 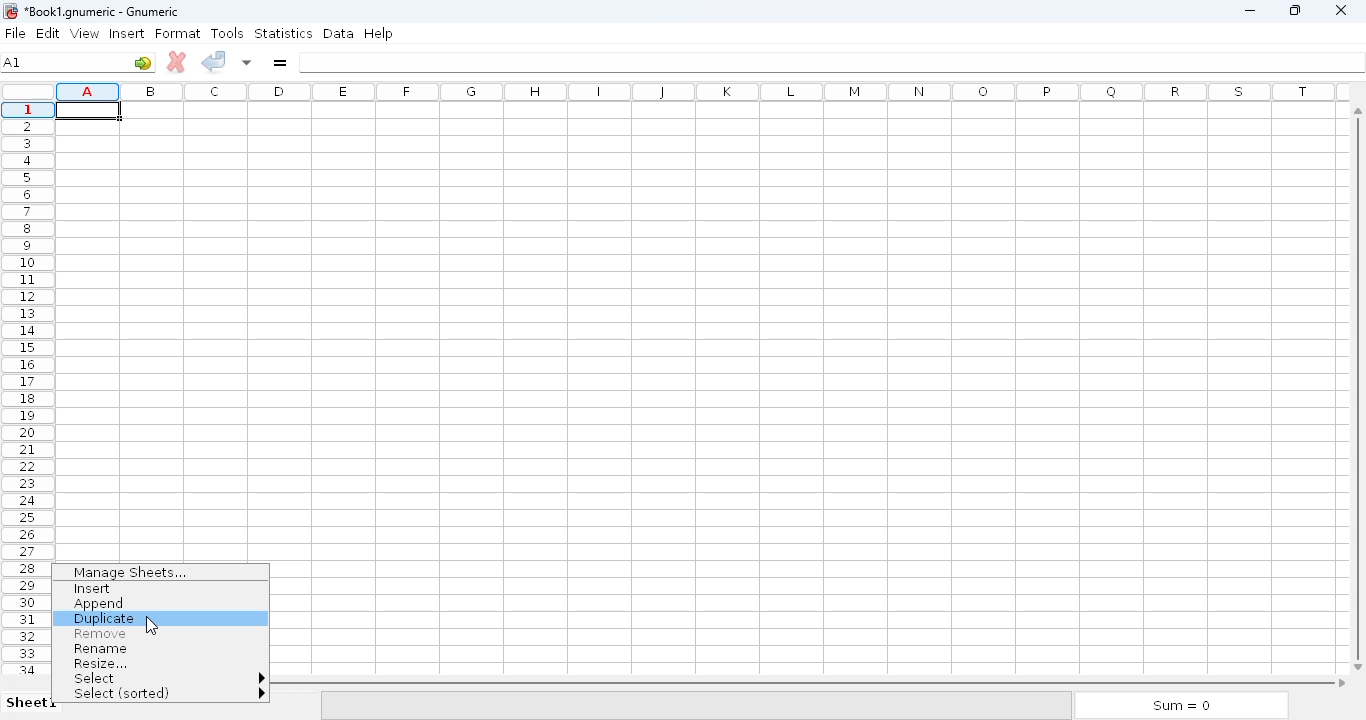 I want to click on resize, so click(x=99, y=663).